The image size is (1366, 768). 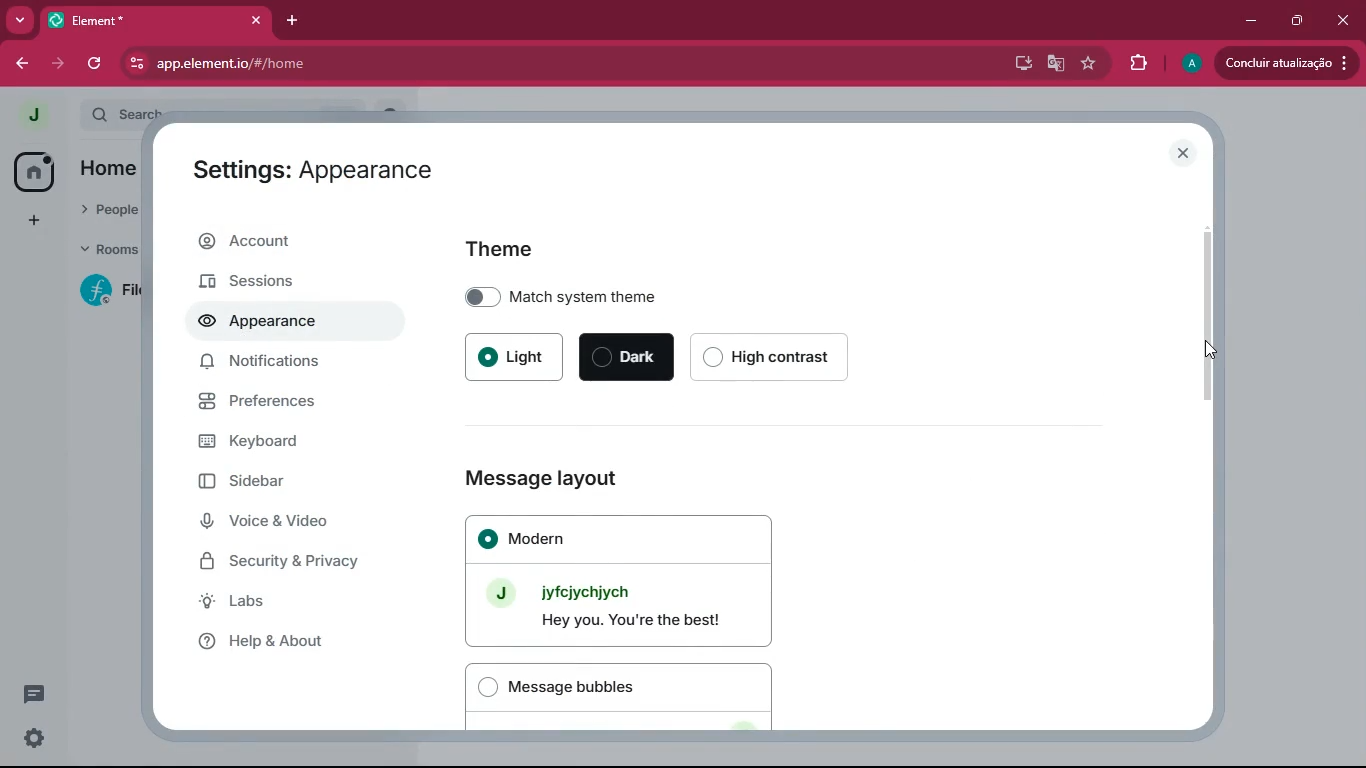 I want to click on room, so click(x=105, y=291).